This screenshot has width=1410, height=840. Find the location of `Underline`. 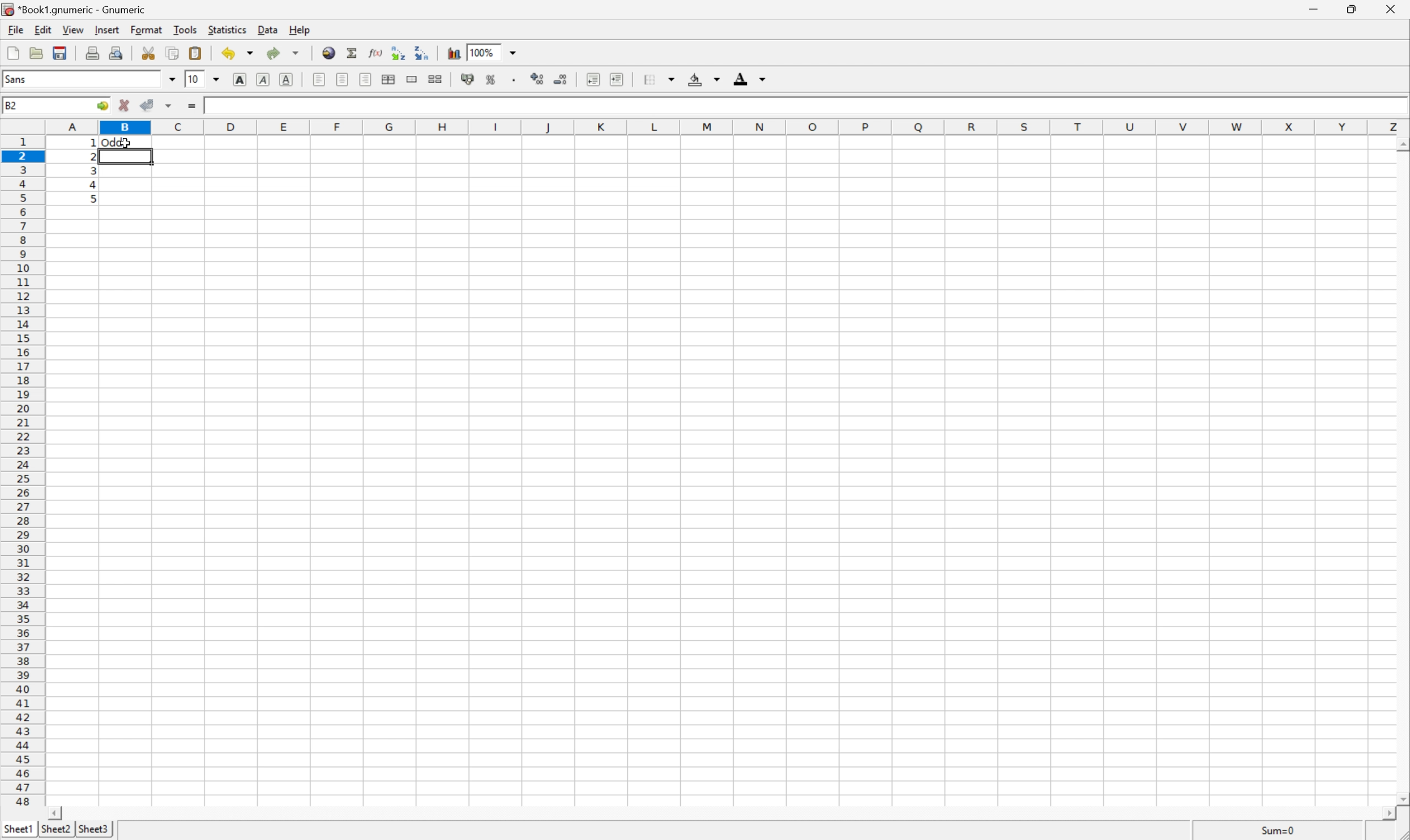

Underline is located at coordinates (287, 79).